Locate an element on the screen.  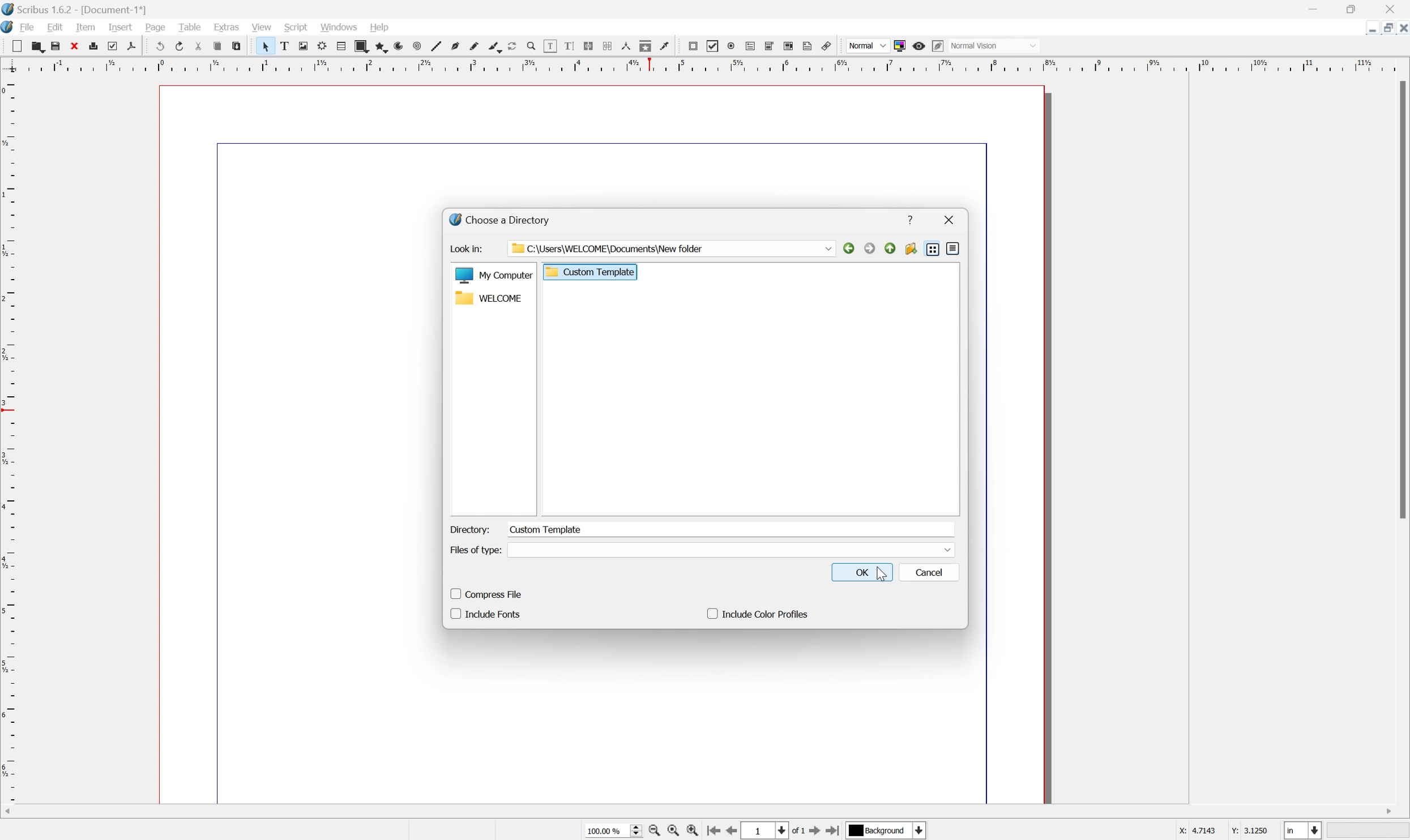
Text annotation is located at coordinates (807, 45).